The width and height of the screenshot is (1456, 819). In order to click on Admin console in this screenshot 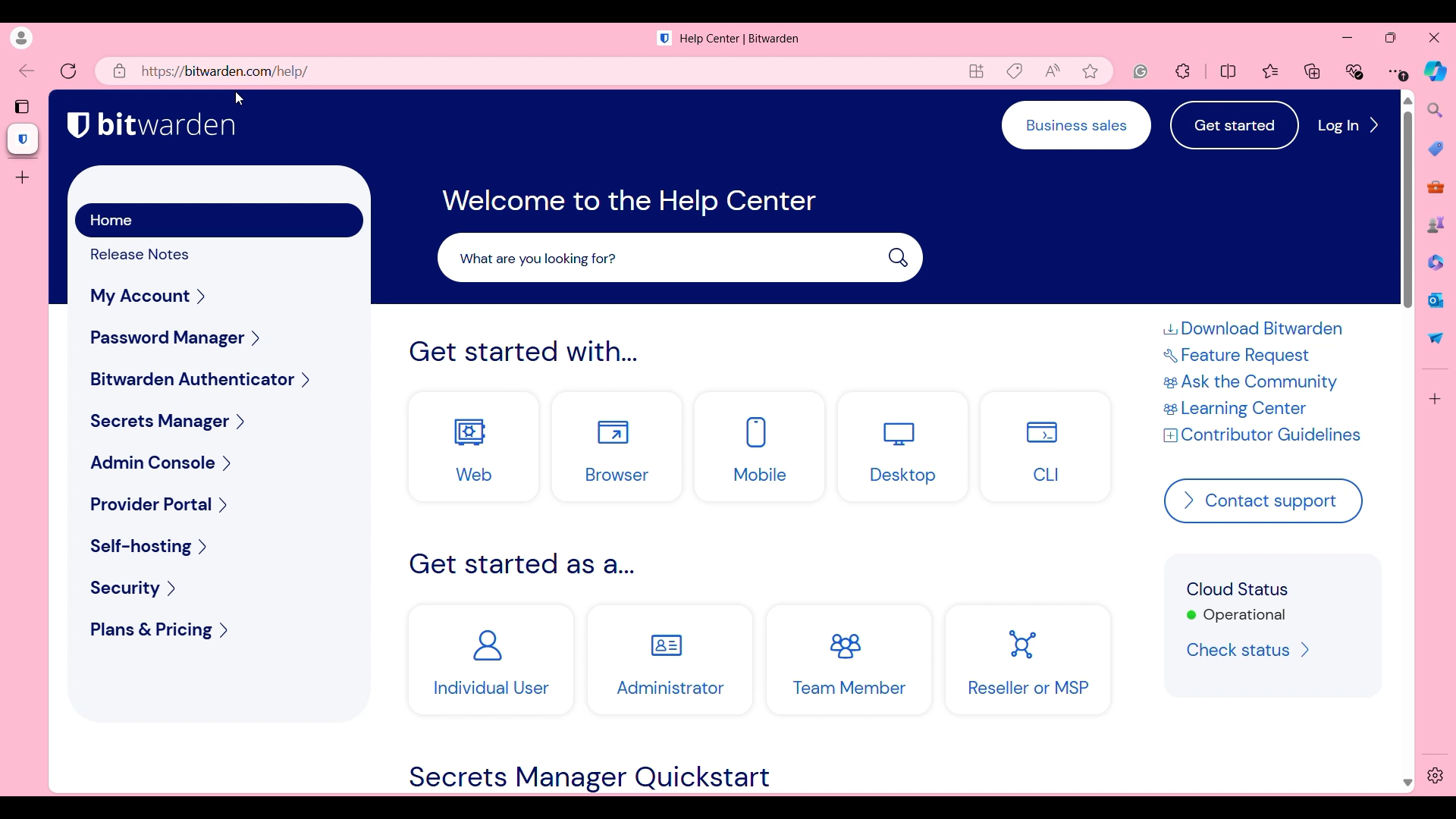, I will do `click(219, 462)`.